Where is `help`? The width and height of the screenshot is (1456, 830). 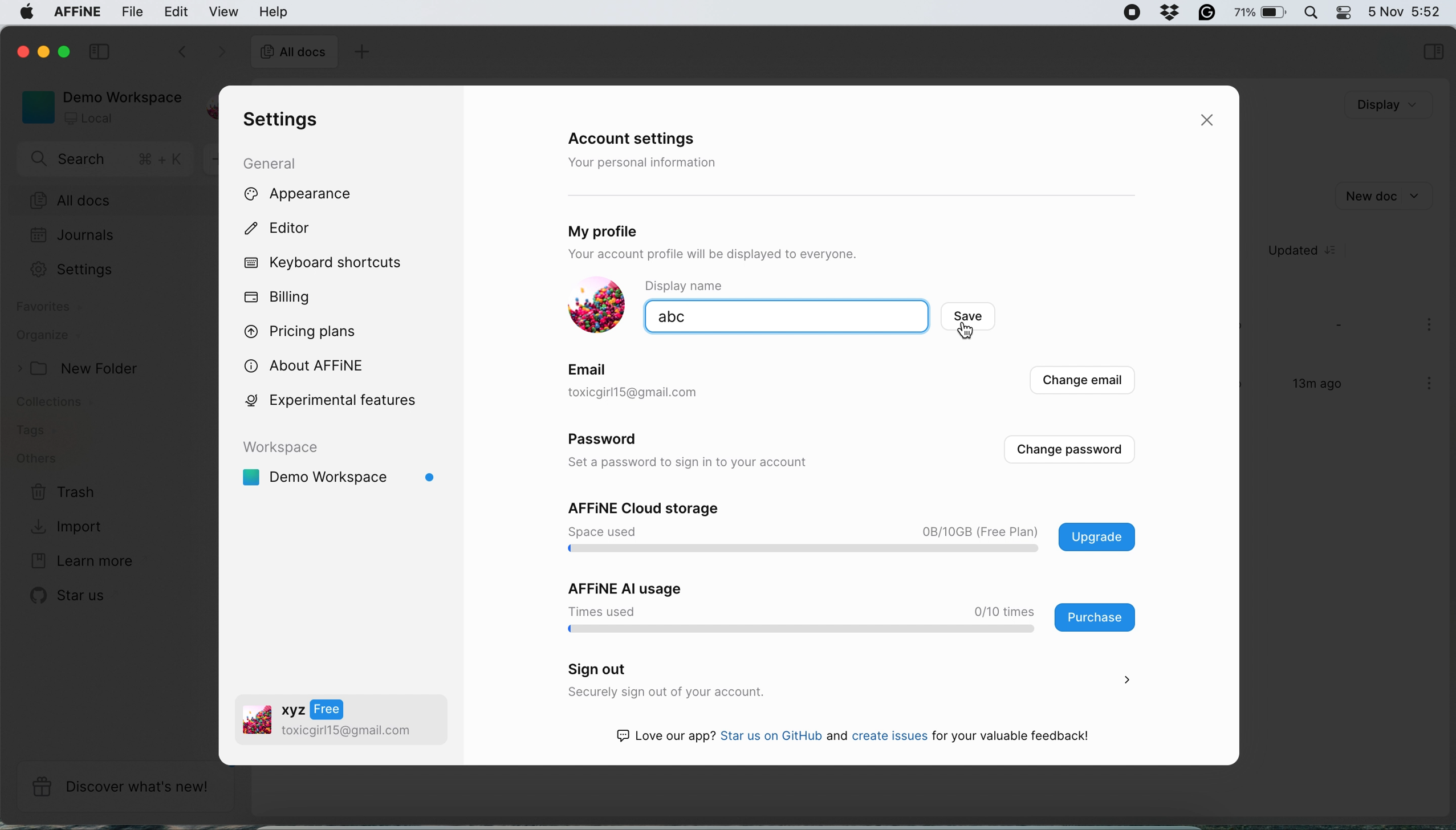 help is located at coordinates (273, 11).